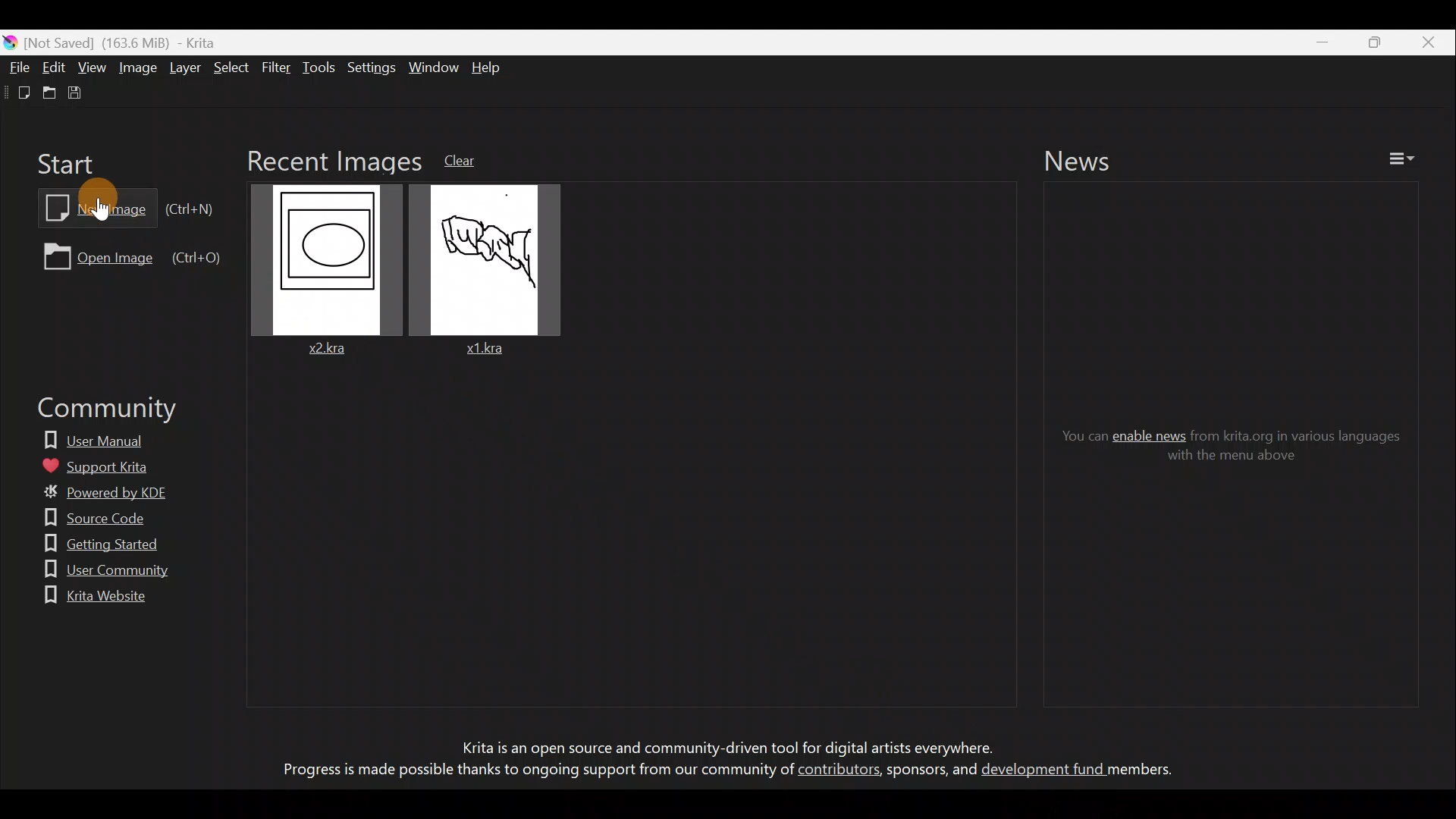  I want to click on Recent images, so click(331, 159).